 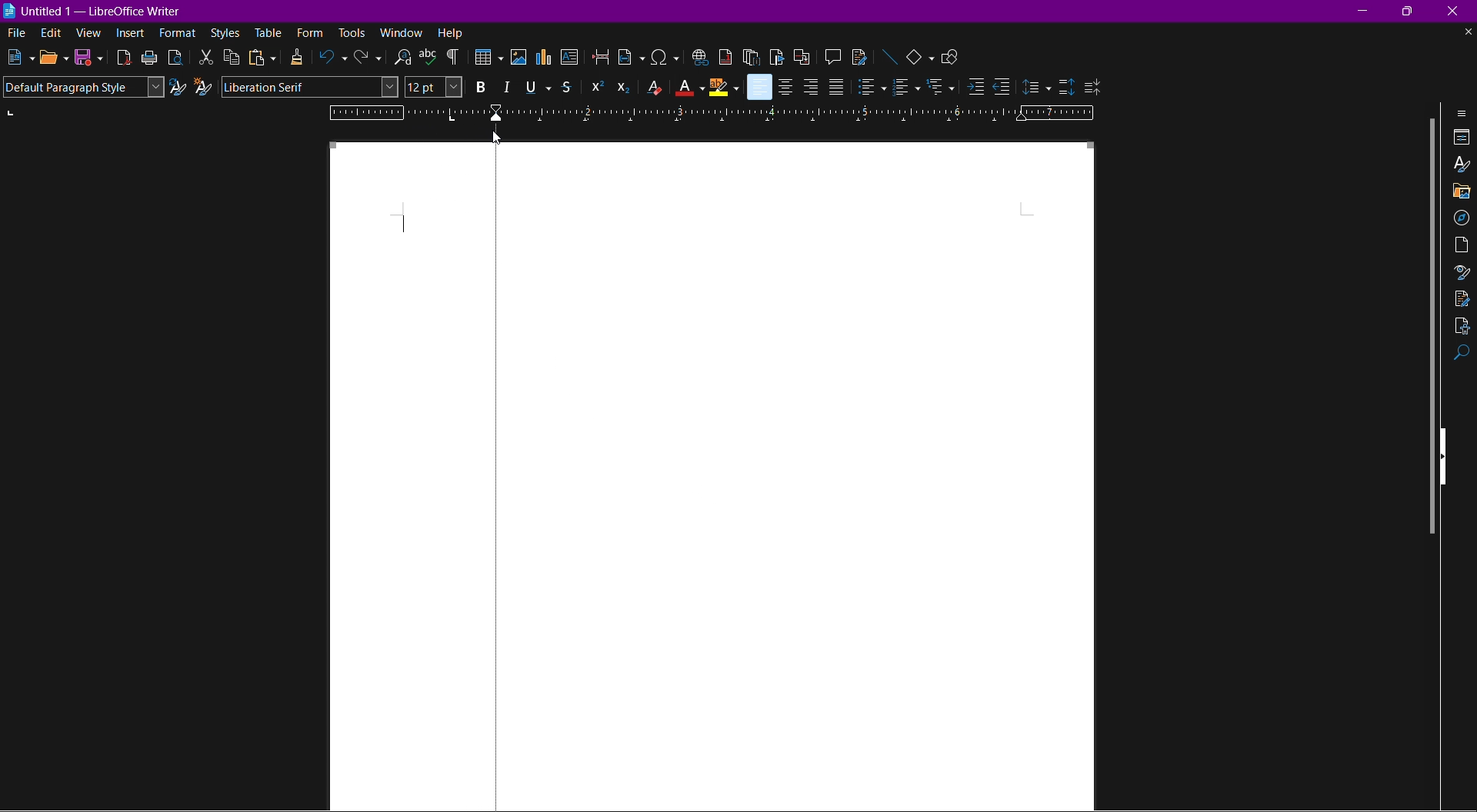 I want to click on scale, so click(x=398, y=113).